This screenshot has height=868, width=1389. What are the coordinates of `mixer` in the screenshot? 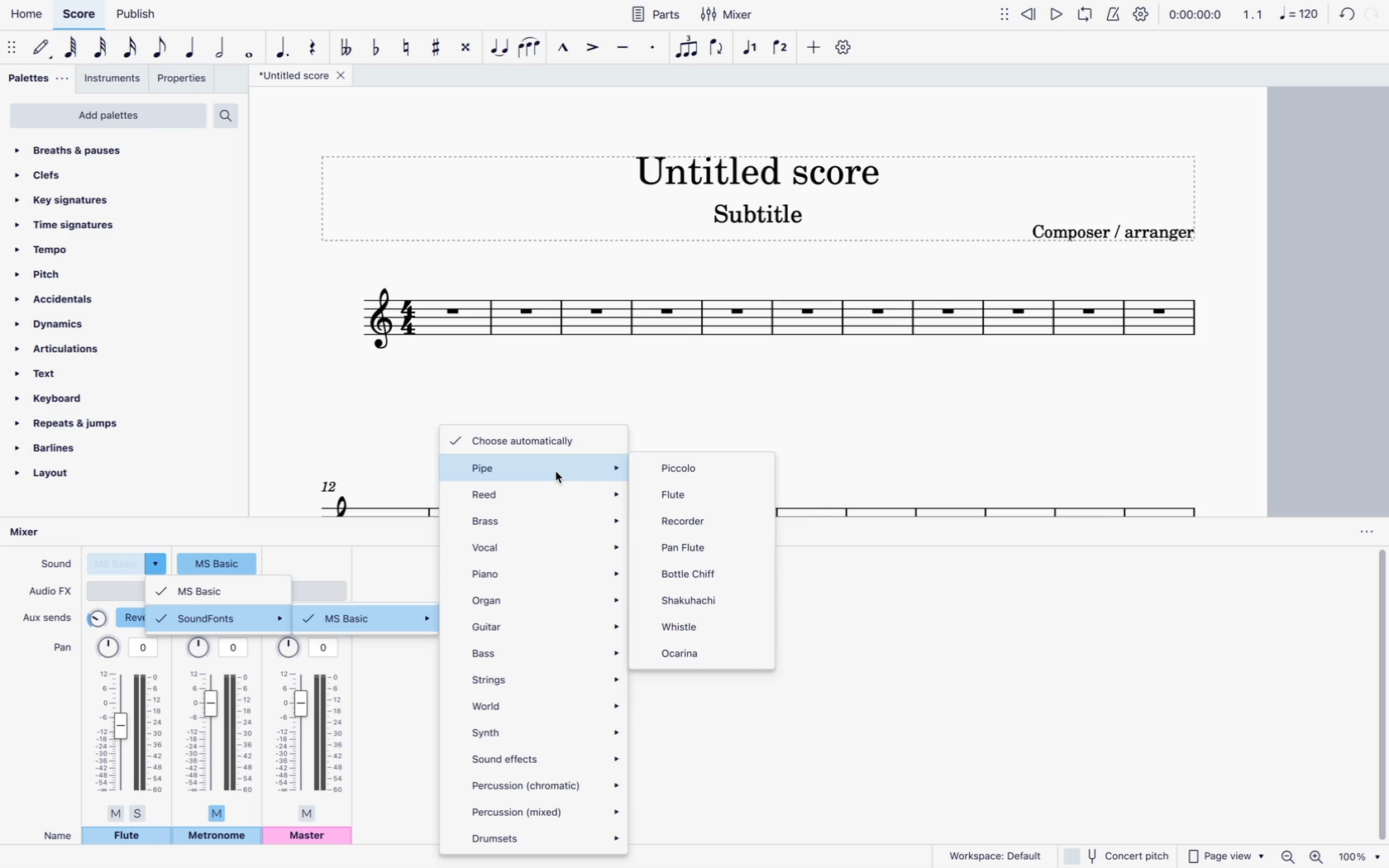 It's located at (39, 533).